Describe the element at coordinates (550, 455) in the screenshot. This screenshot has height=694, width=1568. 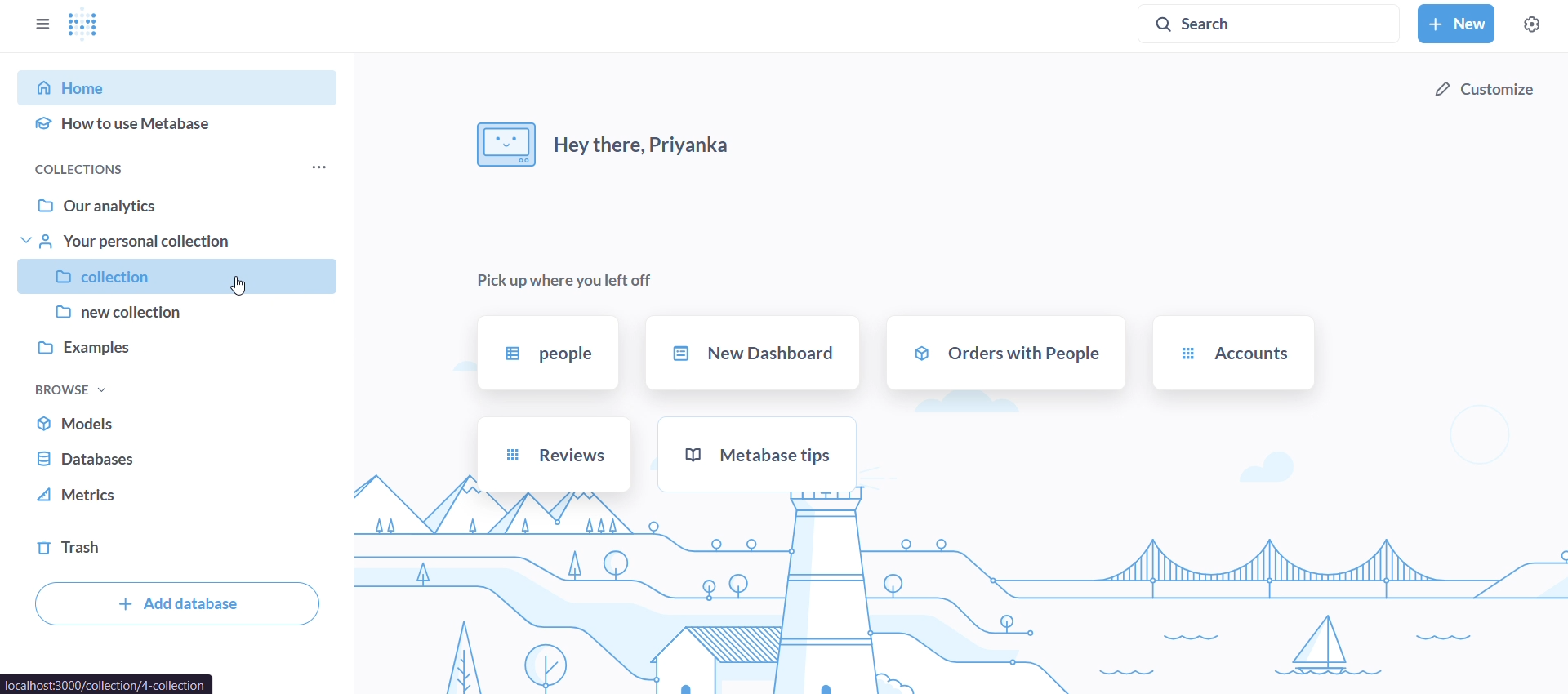
I see `reviews` at that location.